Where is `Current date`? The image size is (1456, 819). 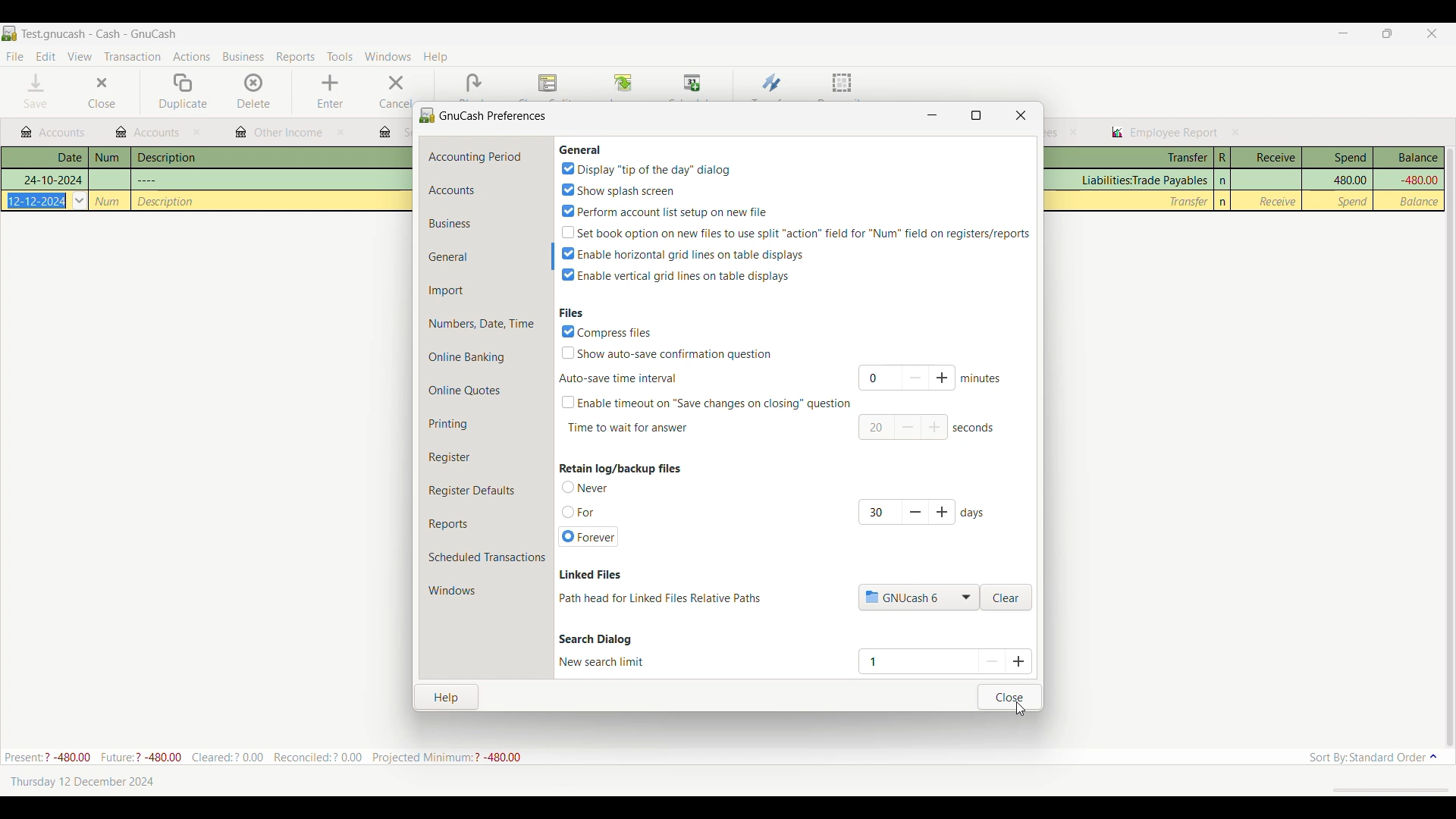 Current date is located at coordinates (82, 781).